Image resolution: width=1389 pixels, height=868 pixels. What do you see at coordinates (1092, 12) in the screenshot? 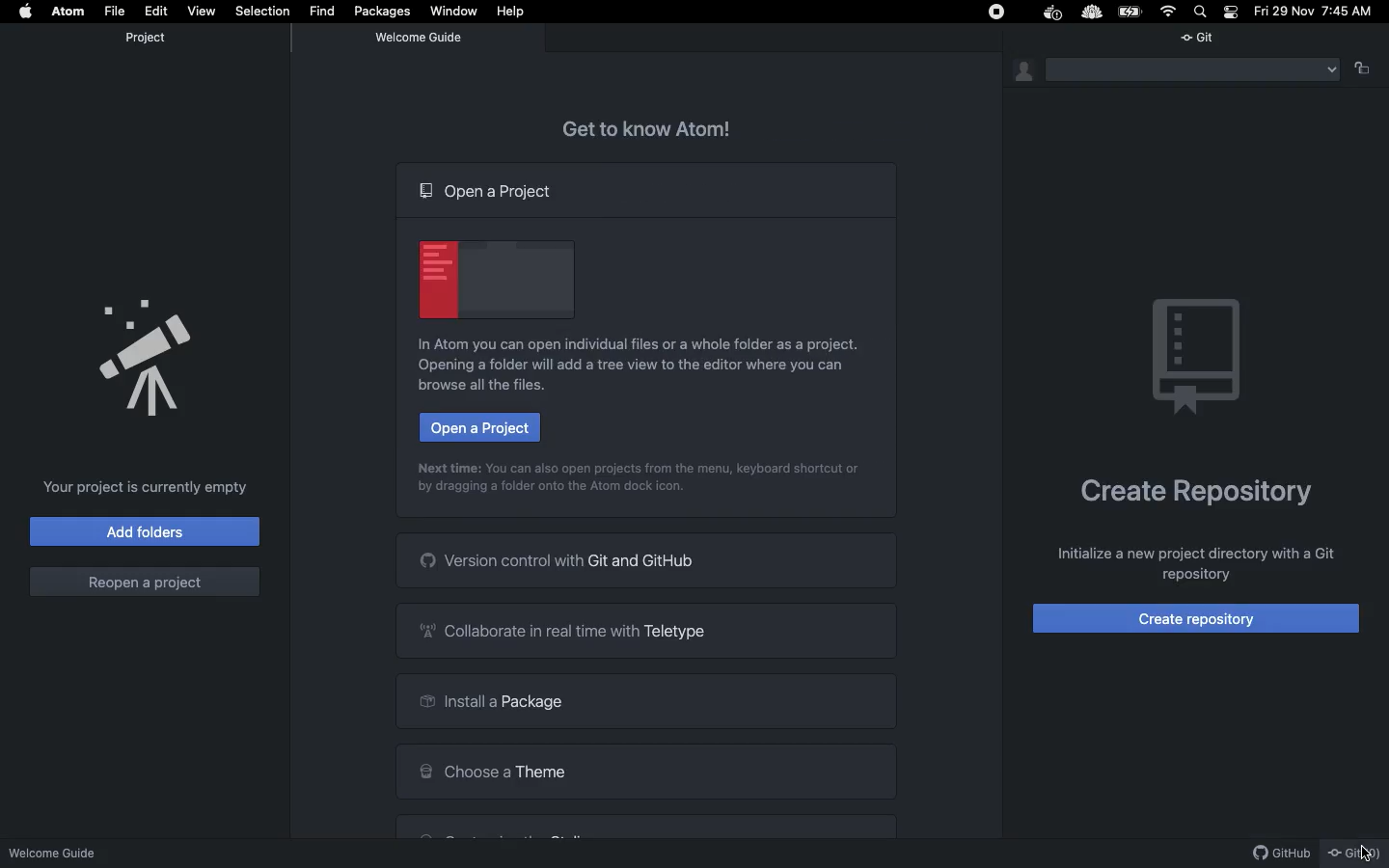
I see `Extension` at bounding box center [1092, 12].